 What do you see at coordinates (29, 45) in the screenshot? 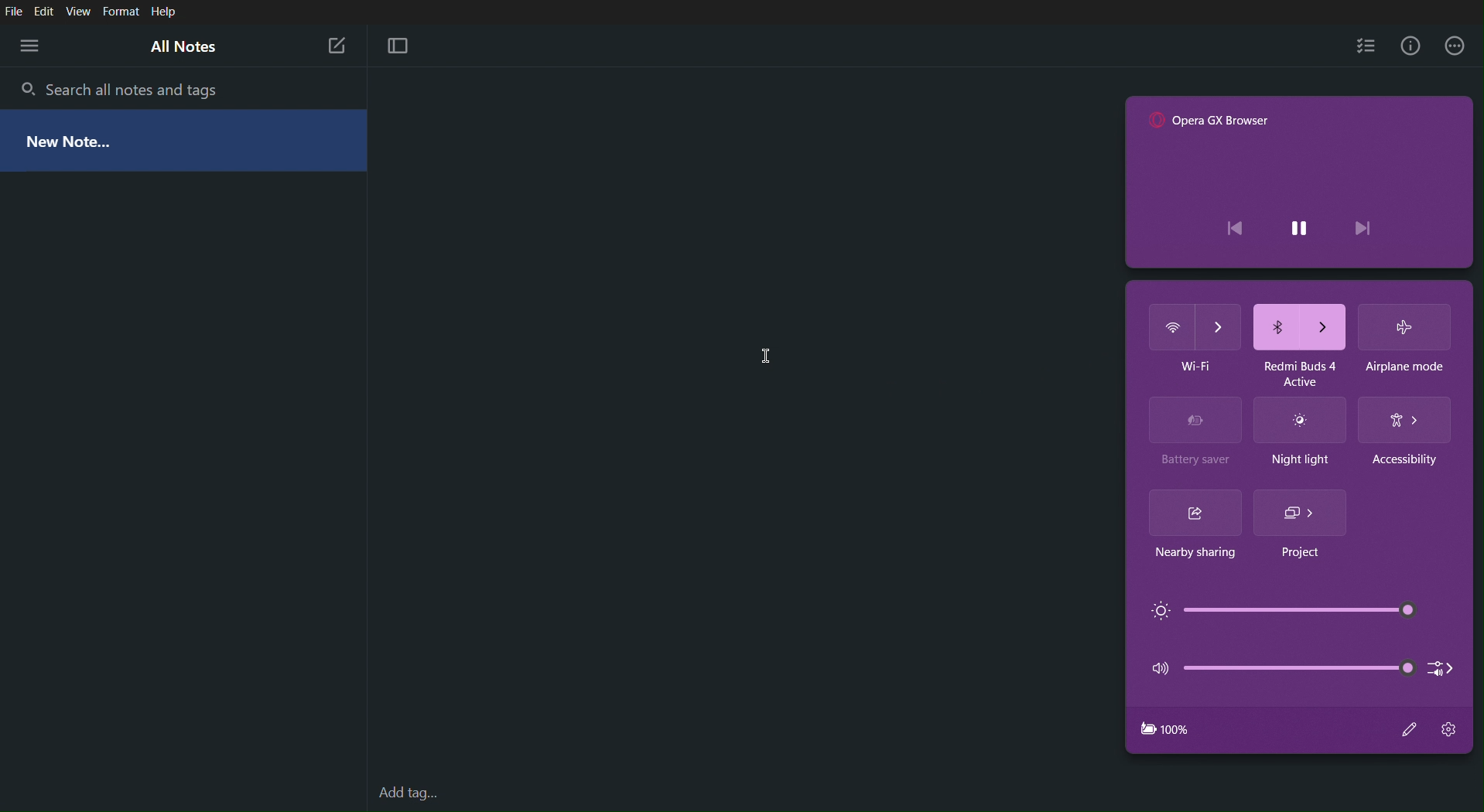
I see `More` at bounding box center [29, 45].